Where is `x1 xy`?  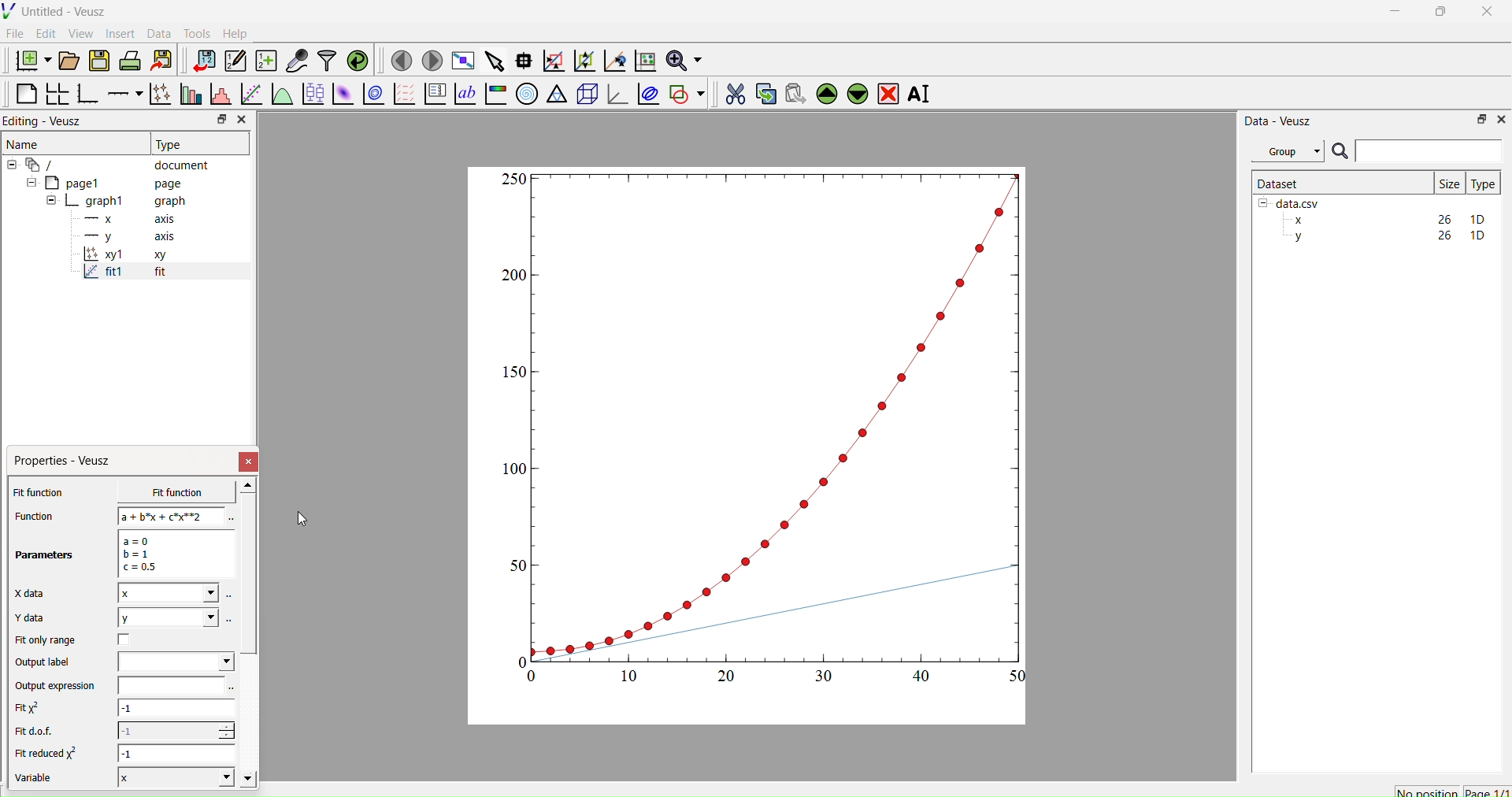 x1 xy is located at coordinates (124, 256).